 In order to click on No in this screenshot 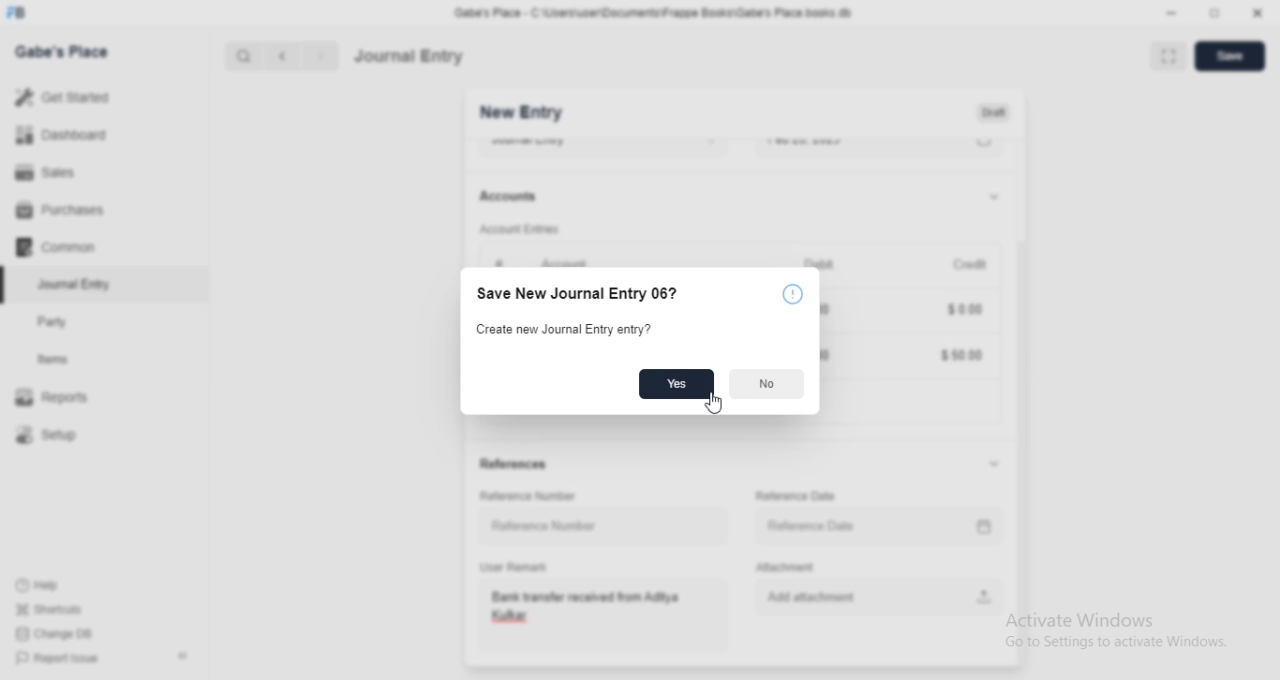, I will do `click(770, 383)`.